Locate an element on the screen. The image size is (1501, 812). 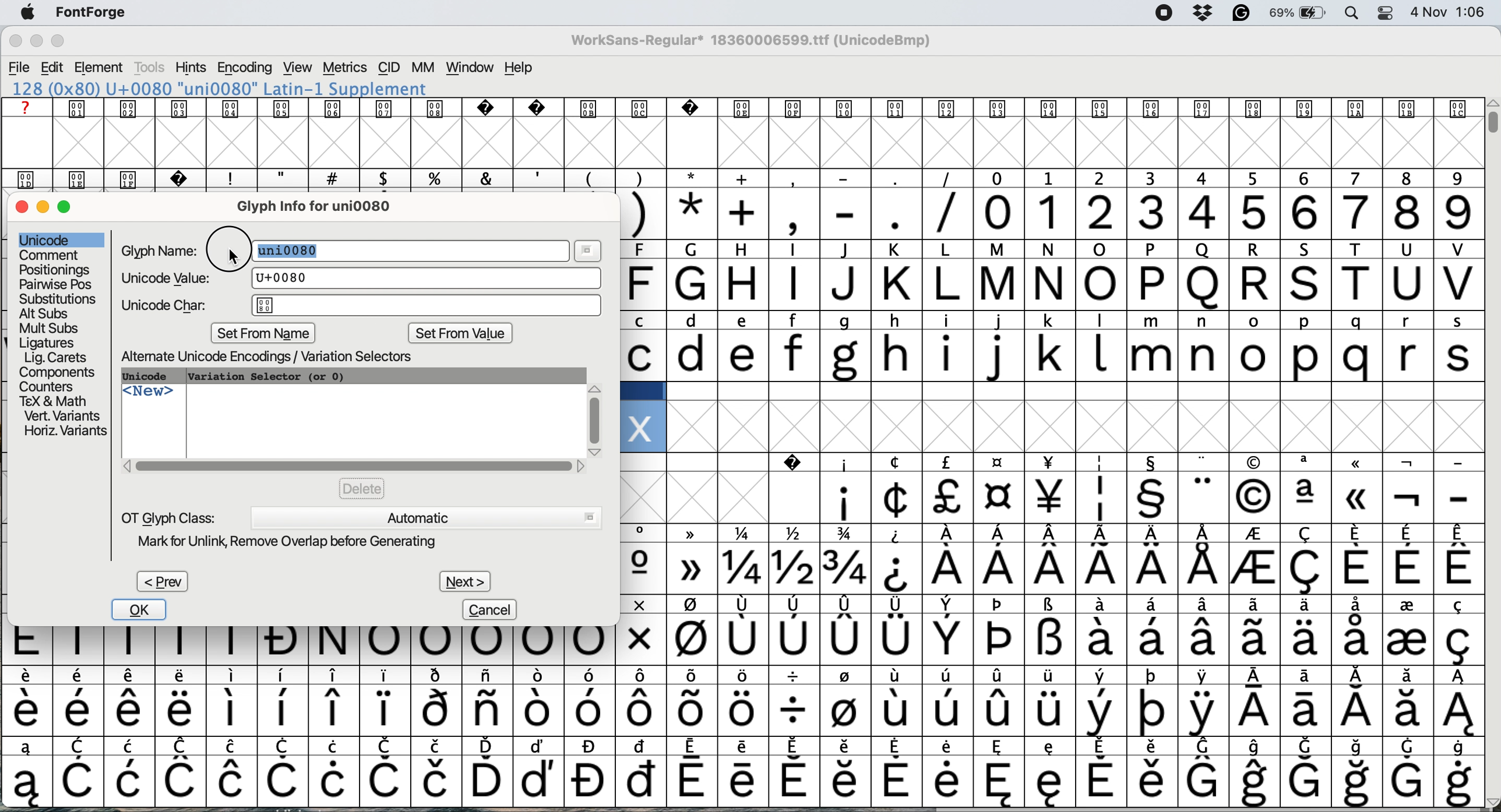
next is located at coordinates (464, 578).